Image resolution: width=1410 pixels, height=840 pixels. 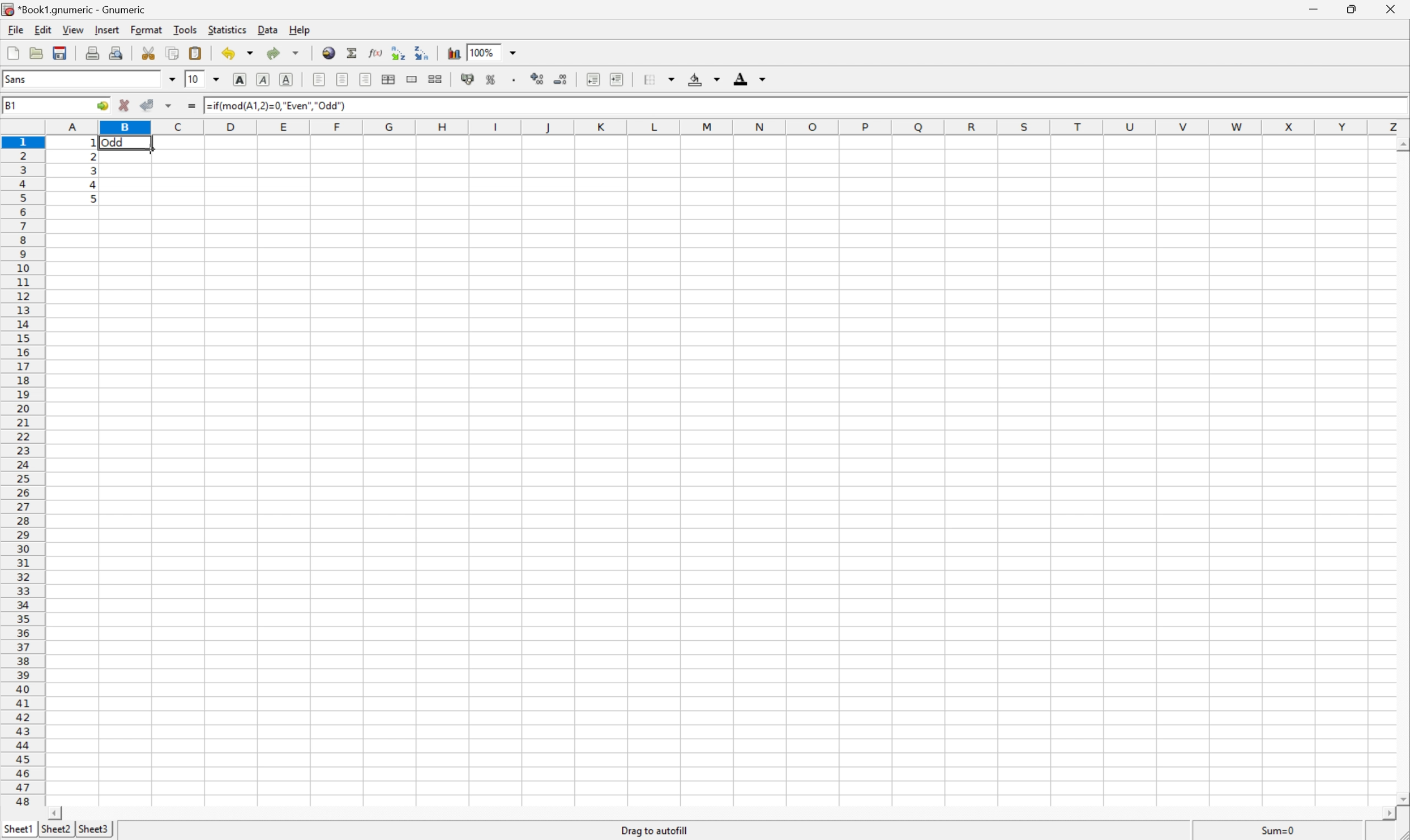 What do you see at coordinates (109, 30) in the screenshot?
I see `Insert` at bounding box center [109, 30].